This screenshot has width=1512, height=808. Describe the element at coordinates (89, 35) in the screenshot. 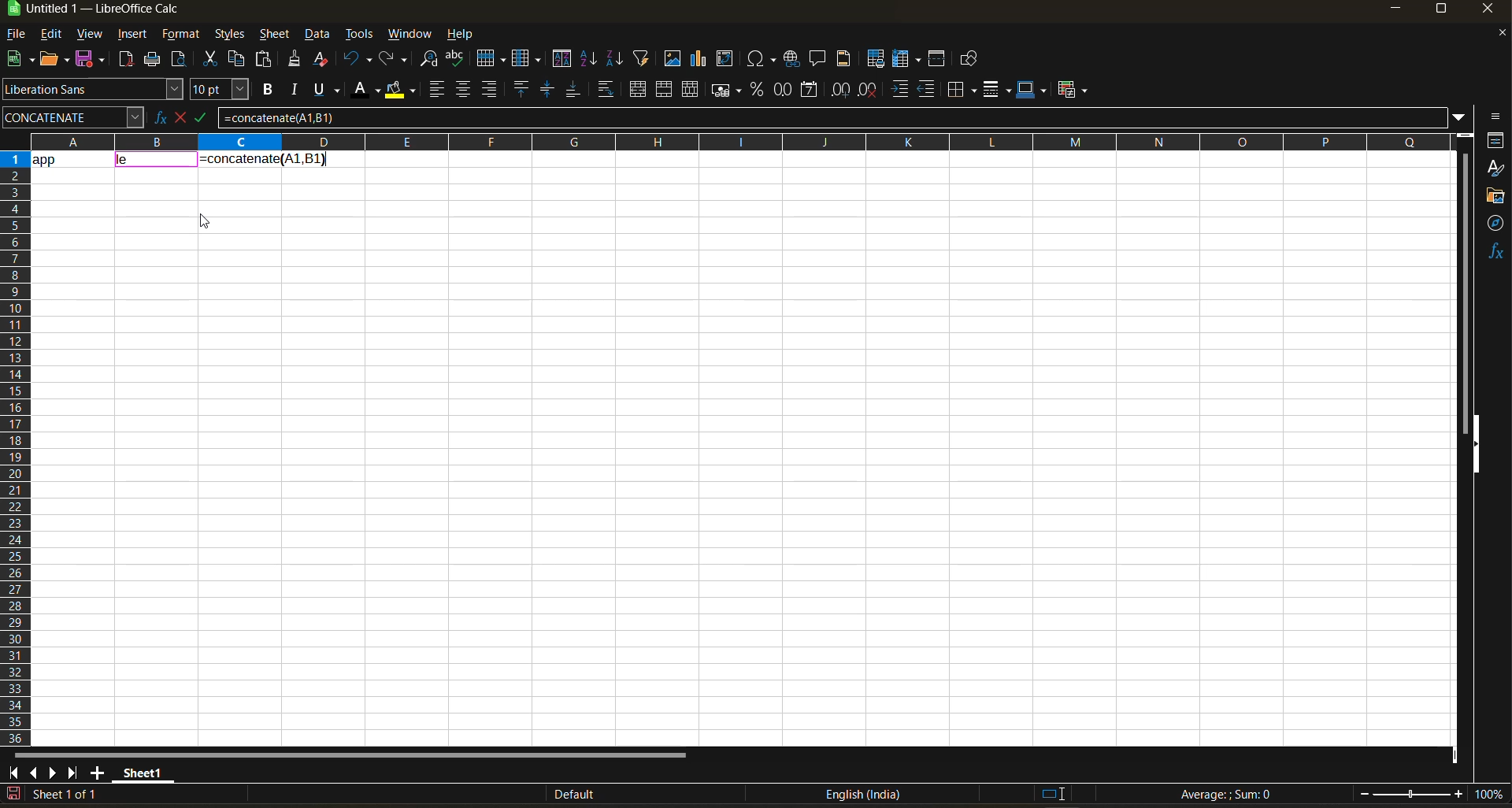

I see `view` at that location.